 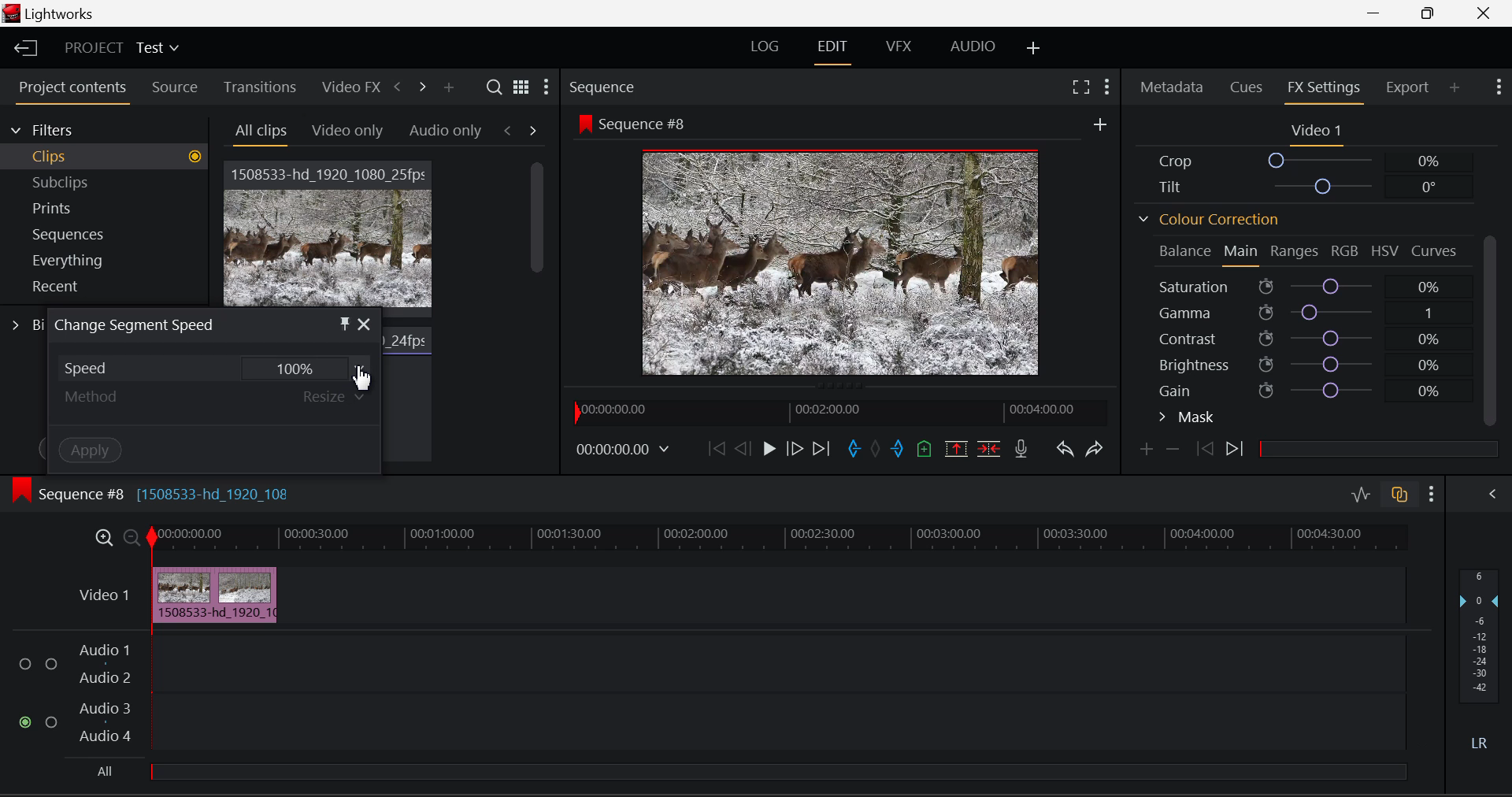 I want to click on Source Tab, so click(x=174, y=87).